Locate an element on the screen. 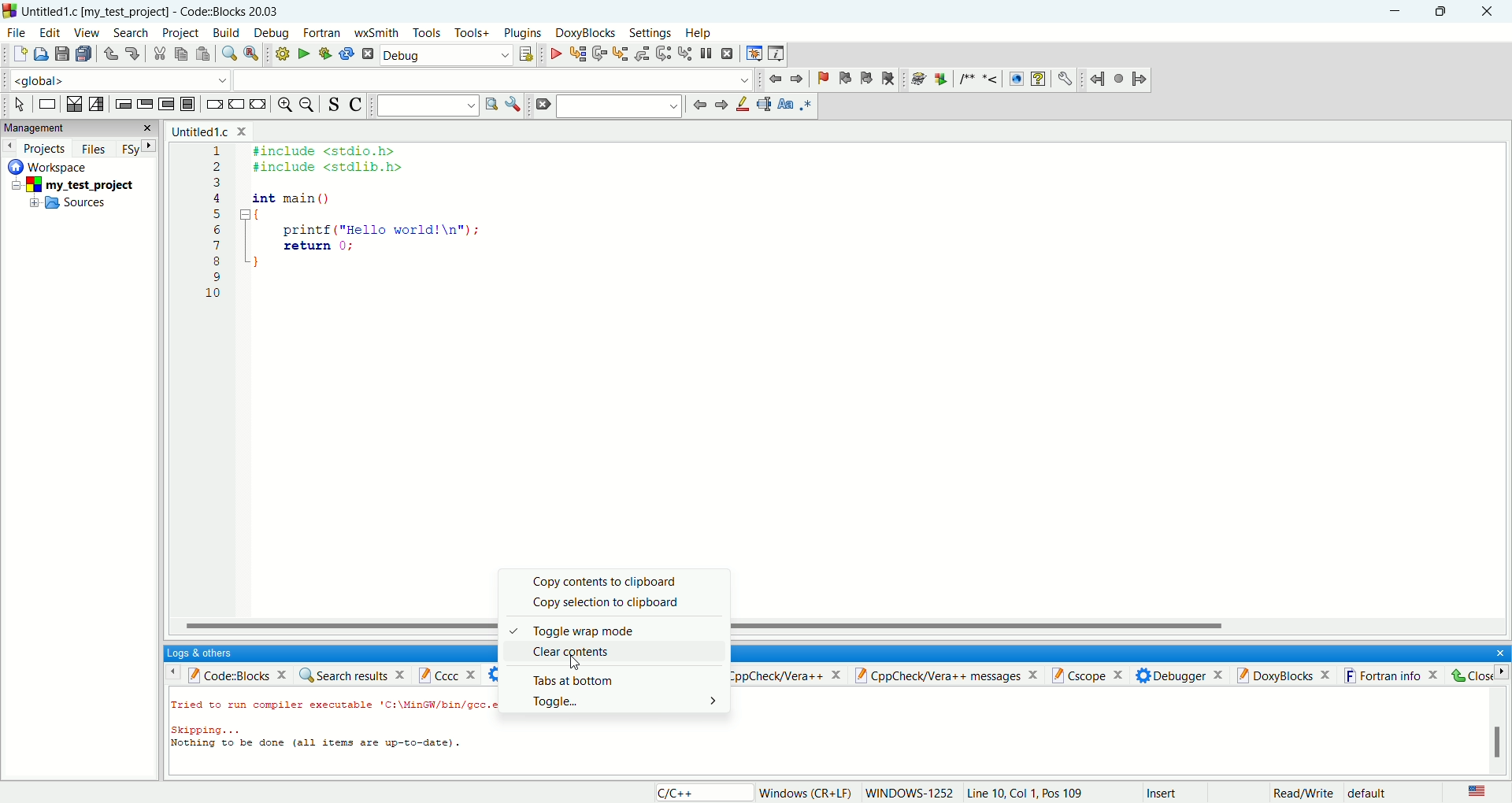 The image size is (1512, 803). project is located at coordinates (80, 183).